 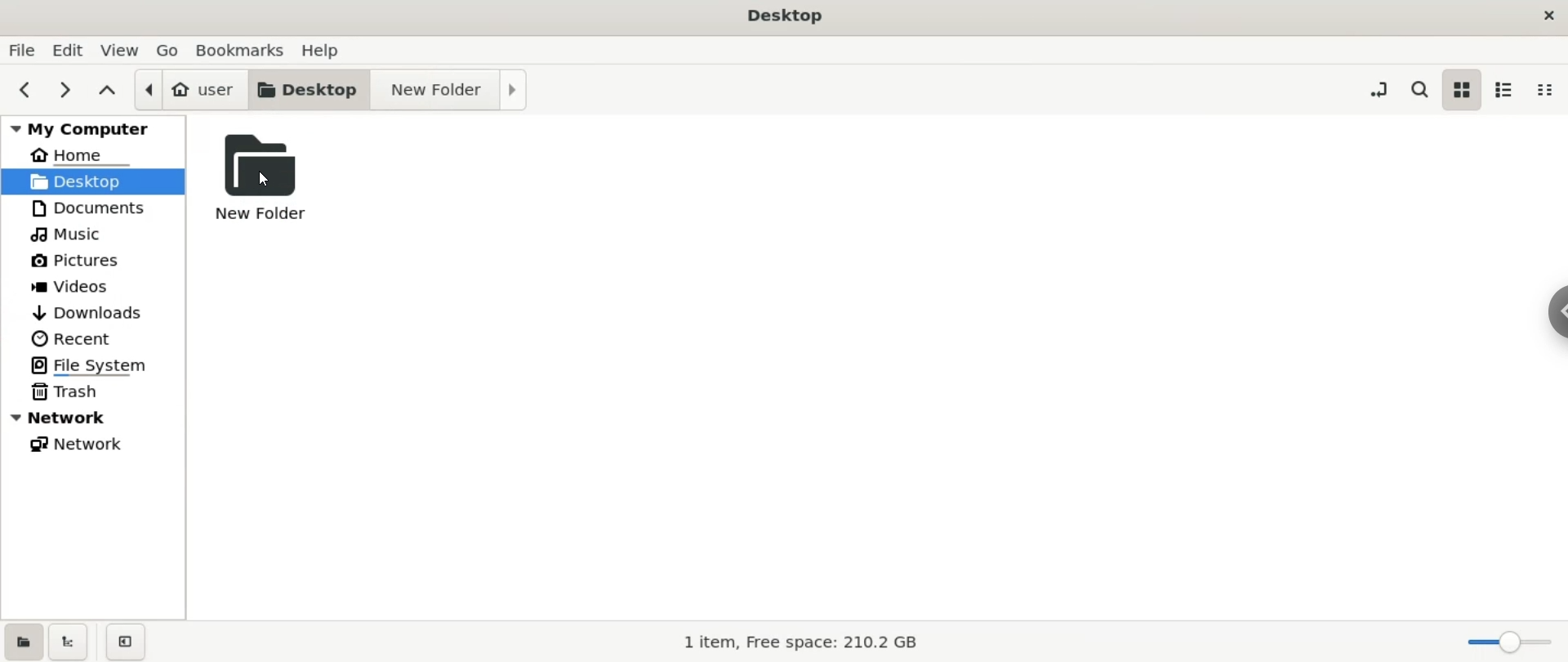 I want to click on storage, so click(x=805, y=642).